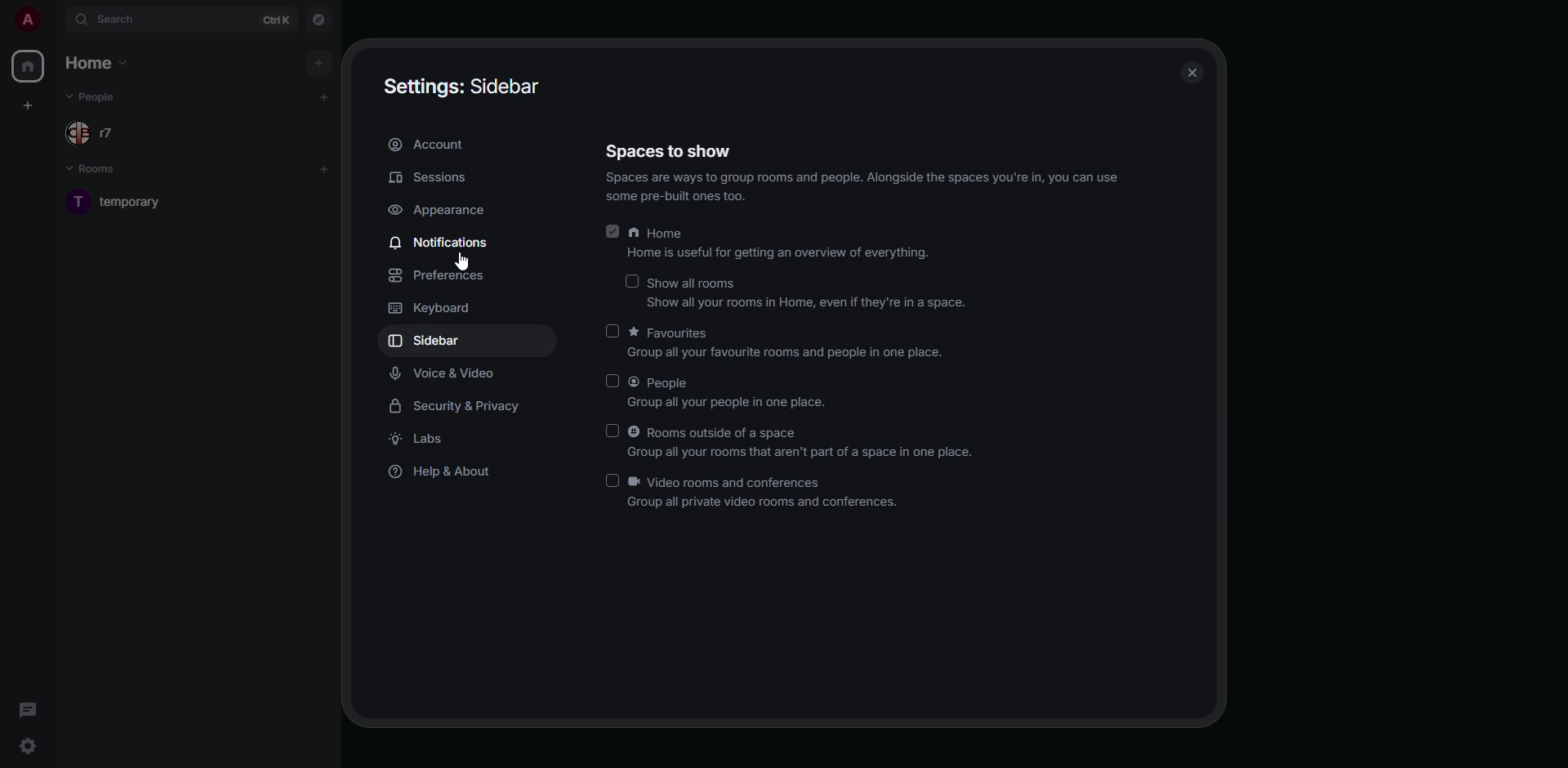  Describe the element at coordinates (612, 428) in the screenshot. I see `click to enable` at that location.